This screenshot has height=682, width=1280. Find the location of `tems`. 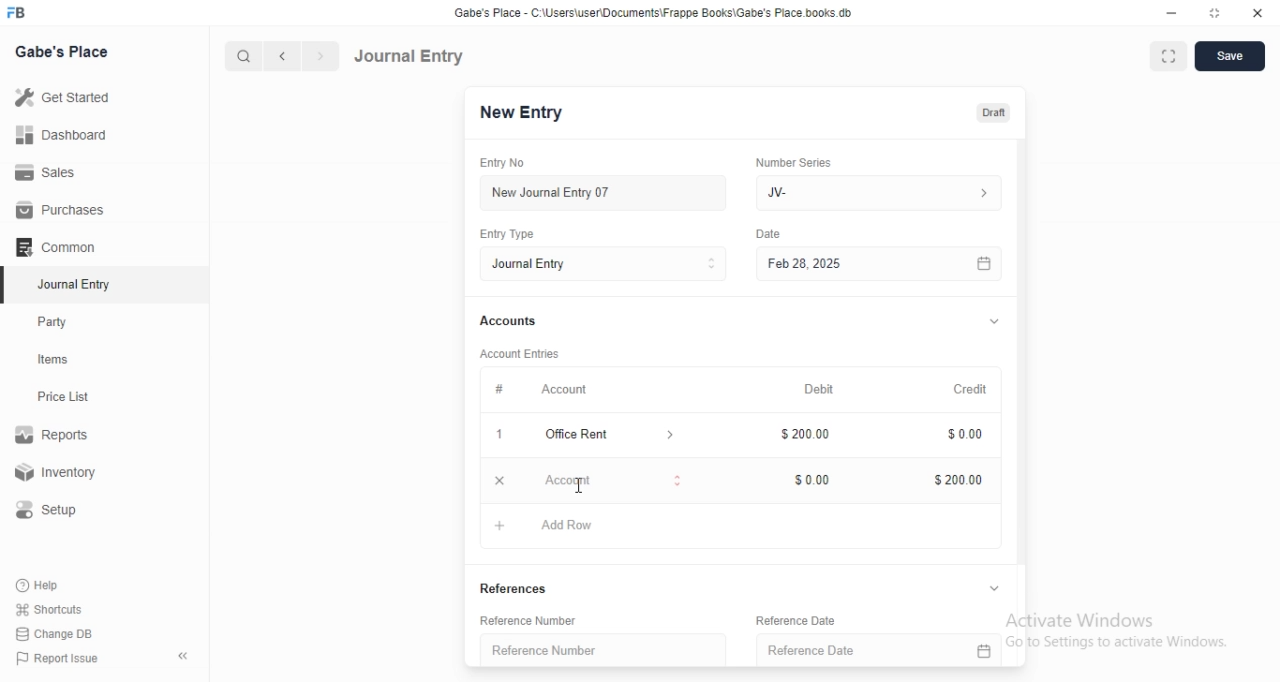

tems is located at coordinates (61, 360).